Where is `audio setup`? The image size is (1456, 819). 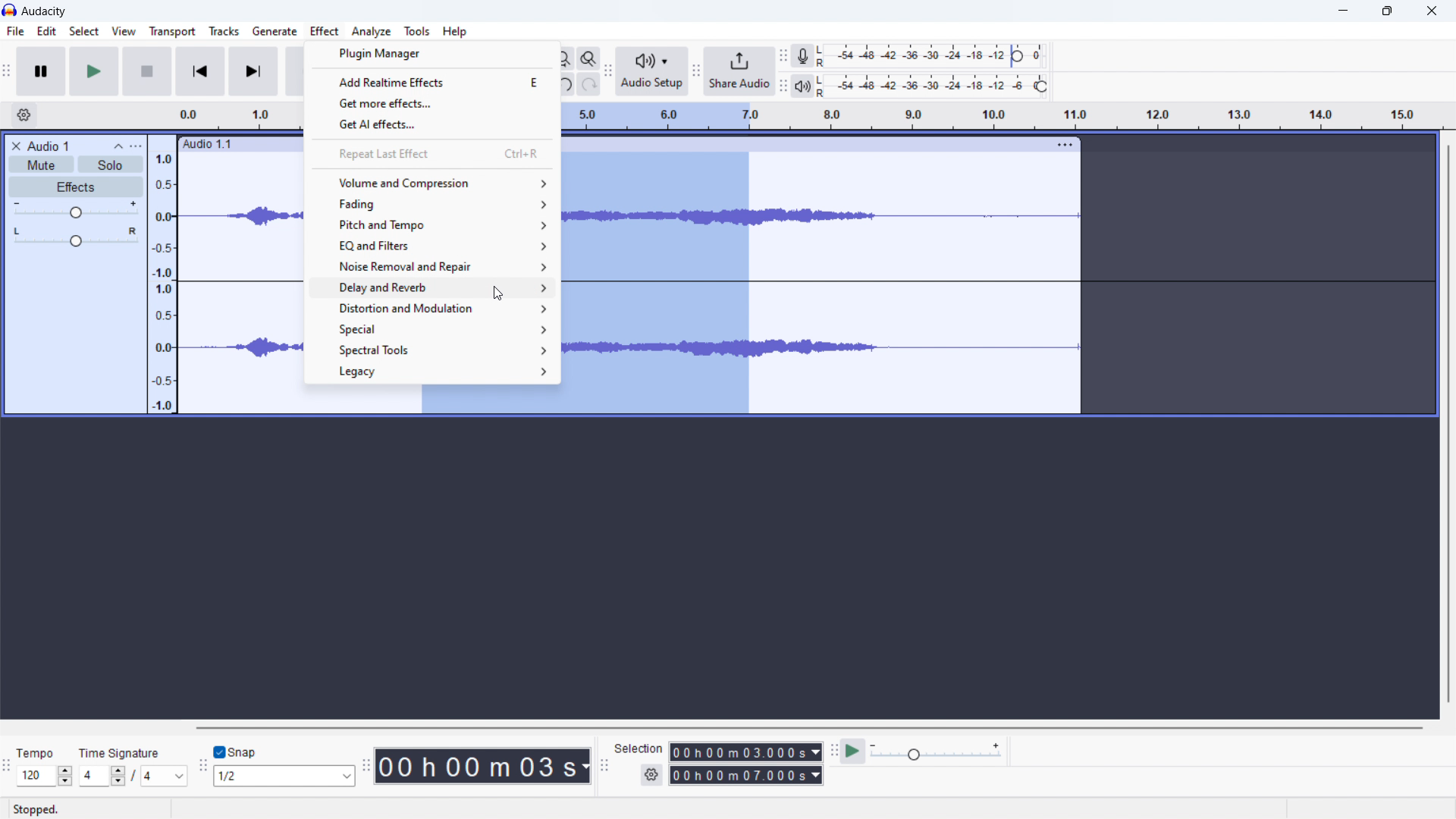 audio setup is located at coordinates (652, 73).